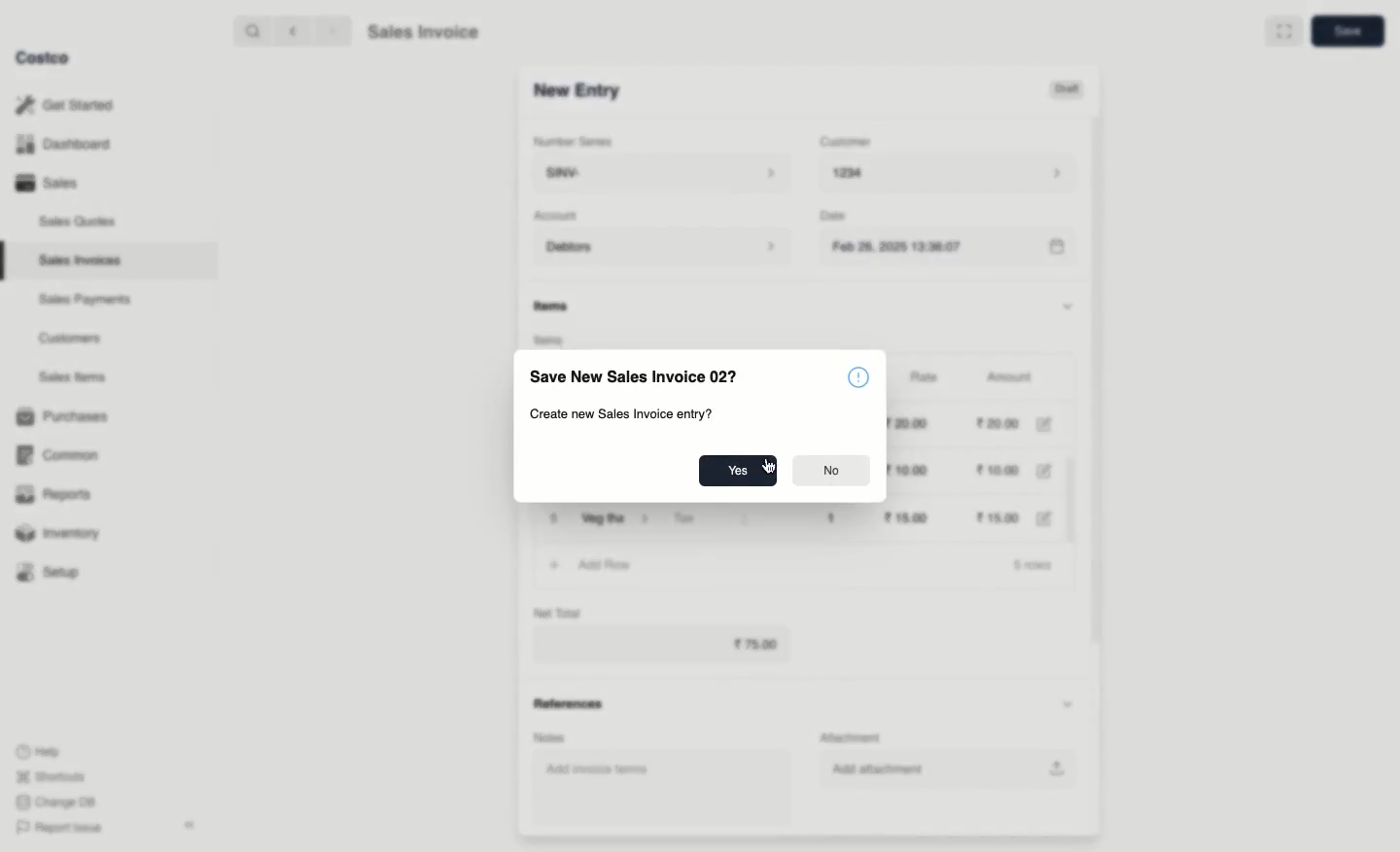 The image size is (1400, 852). I want to click on Create new Sales Invoice entry?, so click(621, 414).